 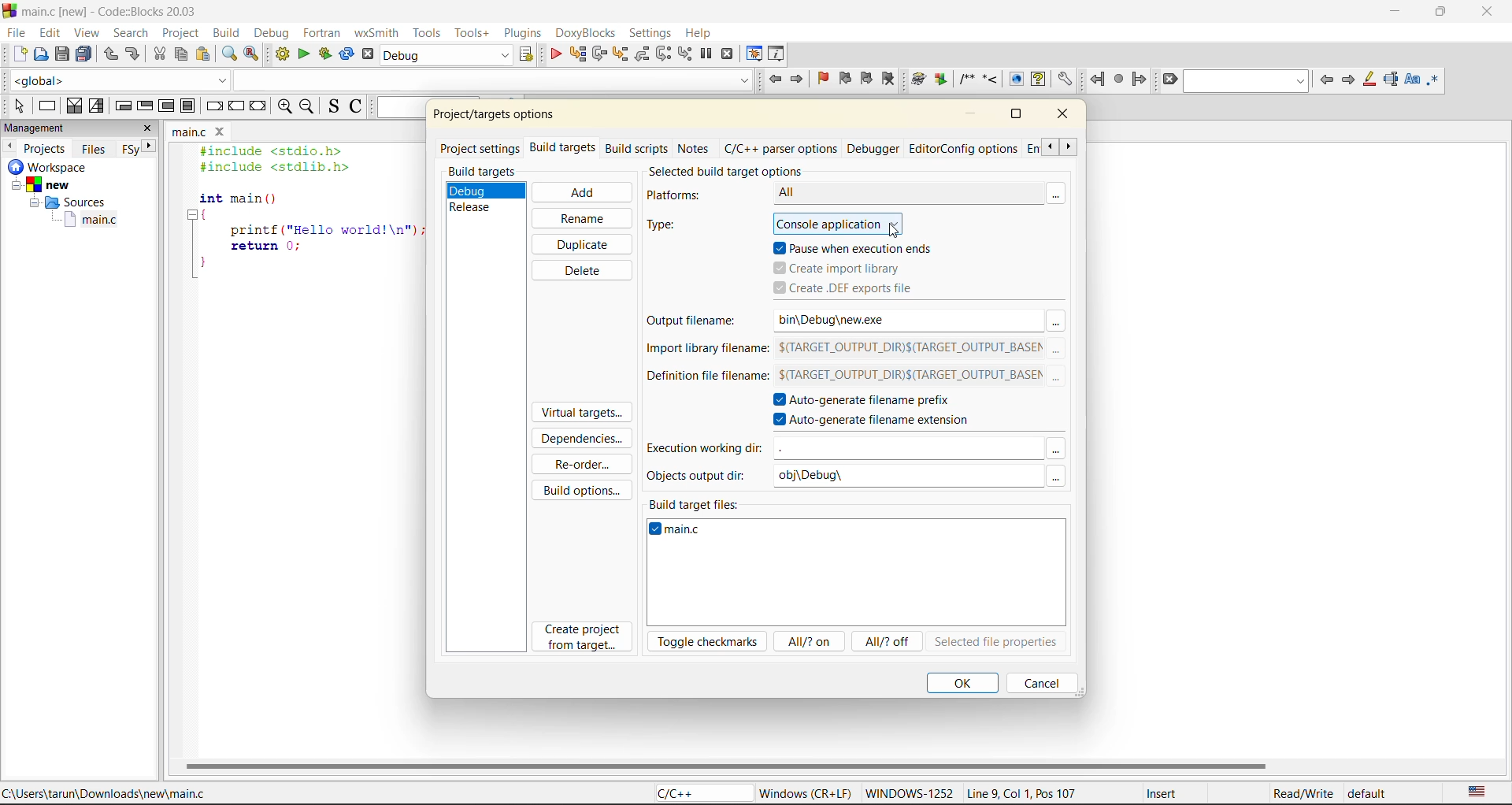 What do you see at coordinates (335, 107) in the screenshot?
I see `toggle source` at bounding box center [335, 107].